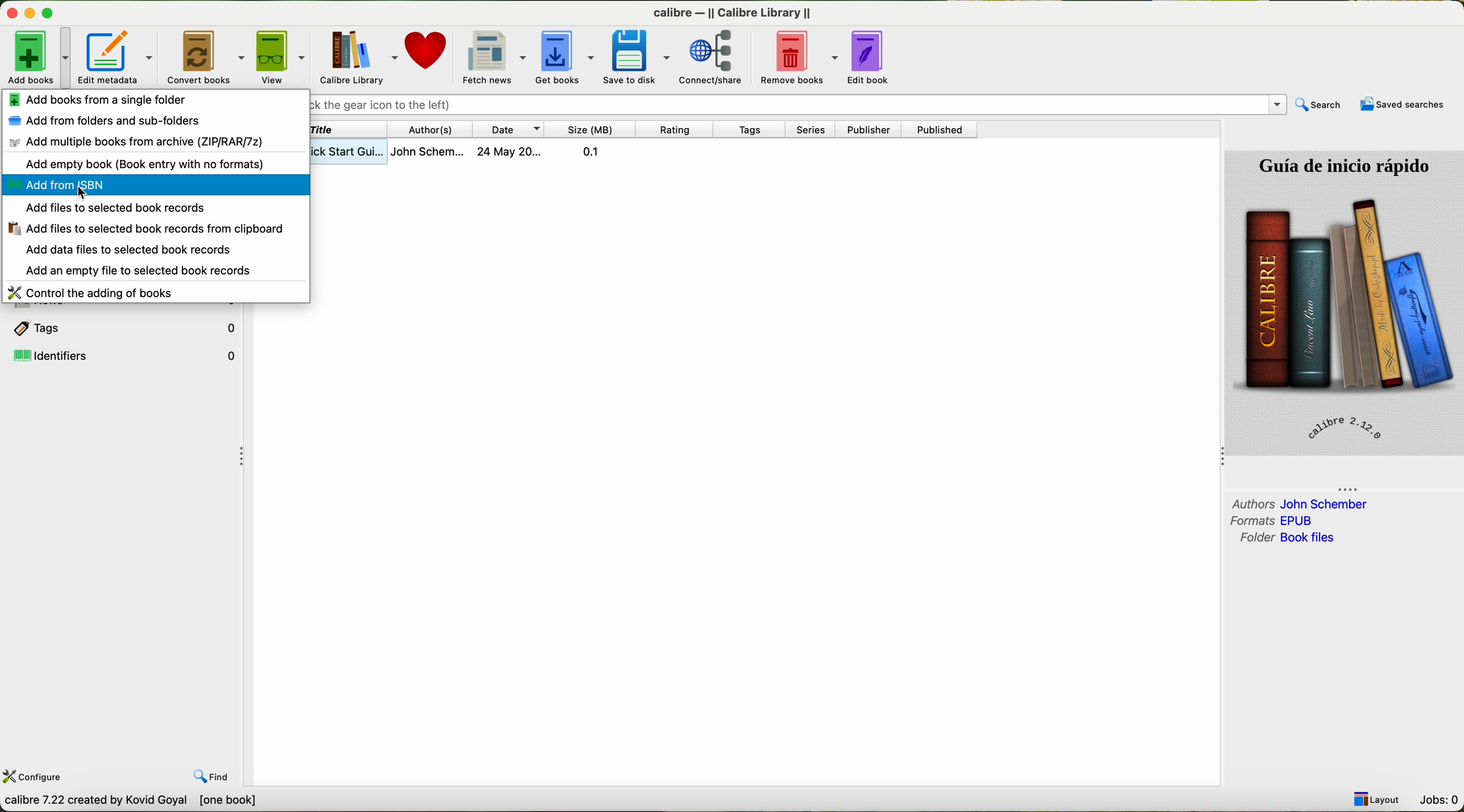  Describe the element at coordinates (942, 130) in the screenshot. I see `published` at that location.